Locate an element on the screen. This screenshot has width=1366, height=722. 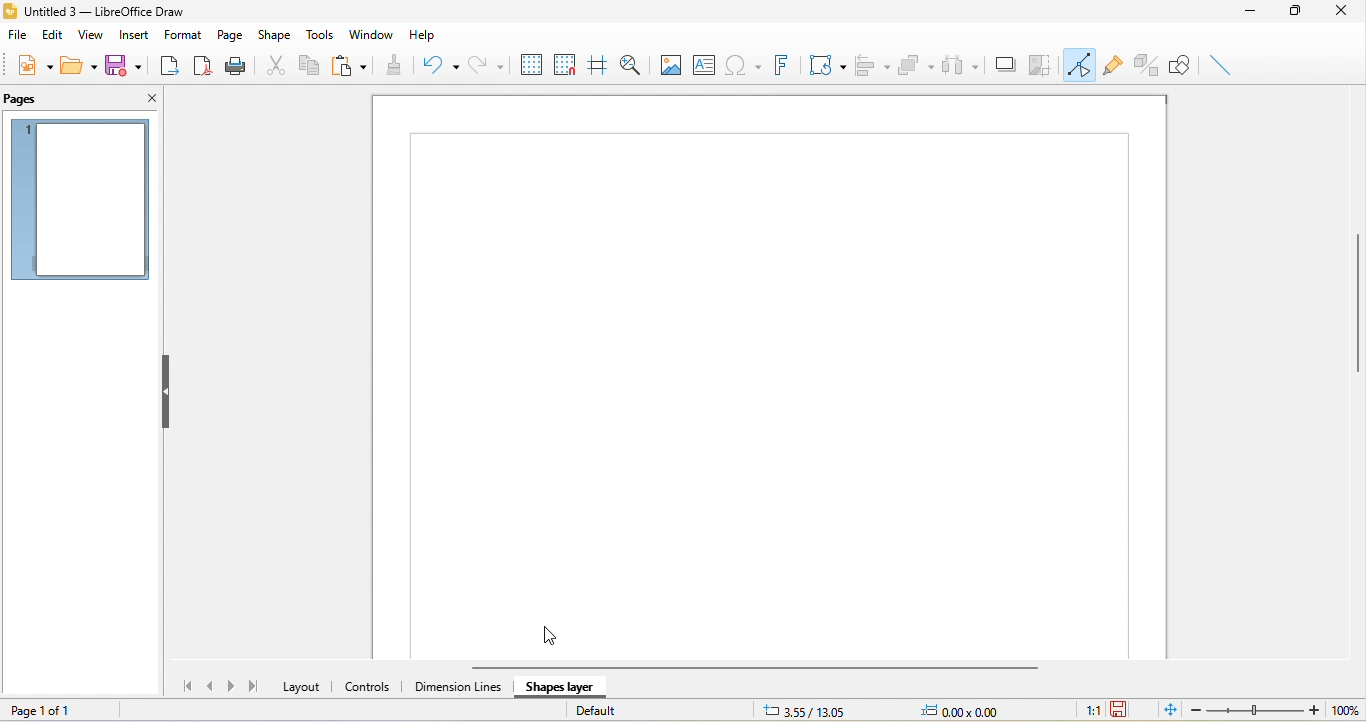
undo is located at coordinates (436, 64).